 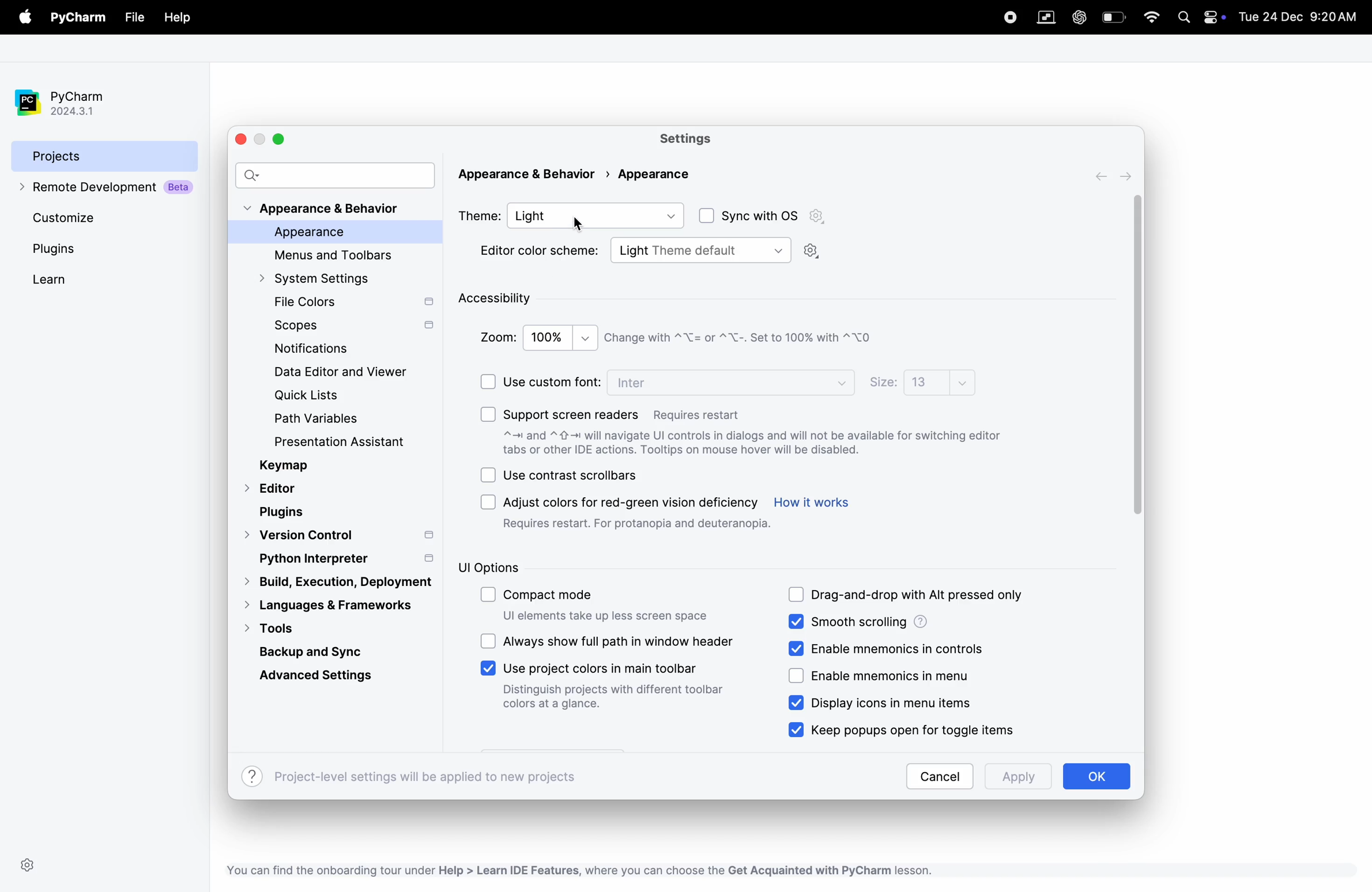 I want to click on search, so click(x=336, y=174).